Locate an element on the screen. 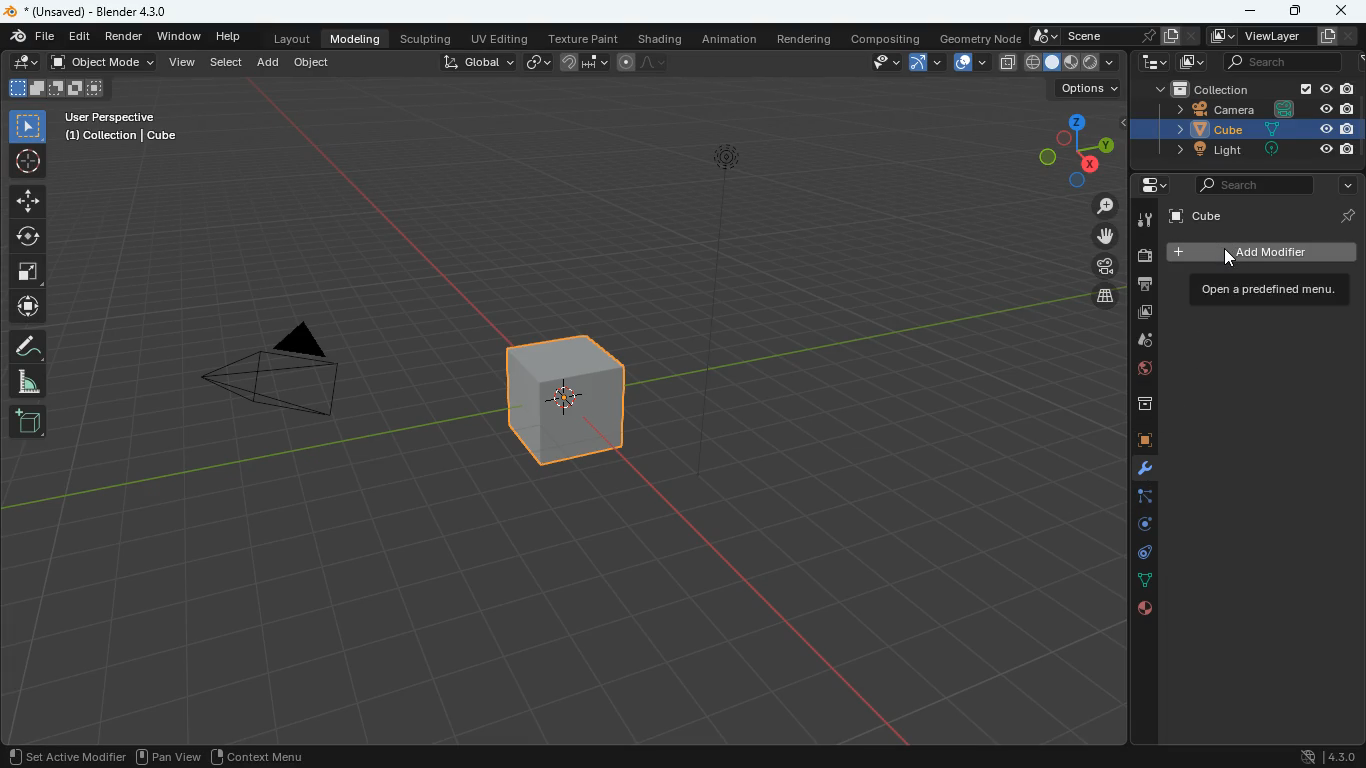 The image size is (1366, 768). move is located at coordinates (1105, 236).